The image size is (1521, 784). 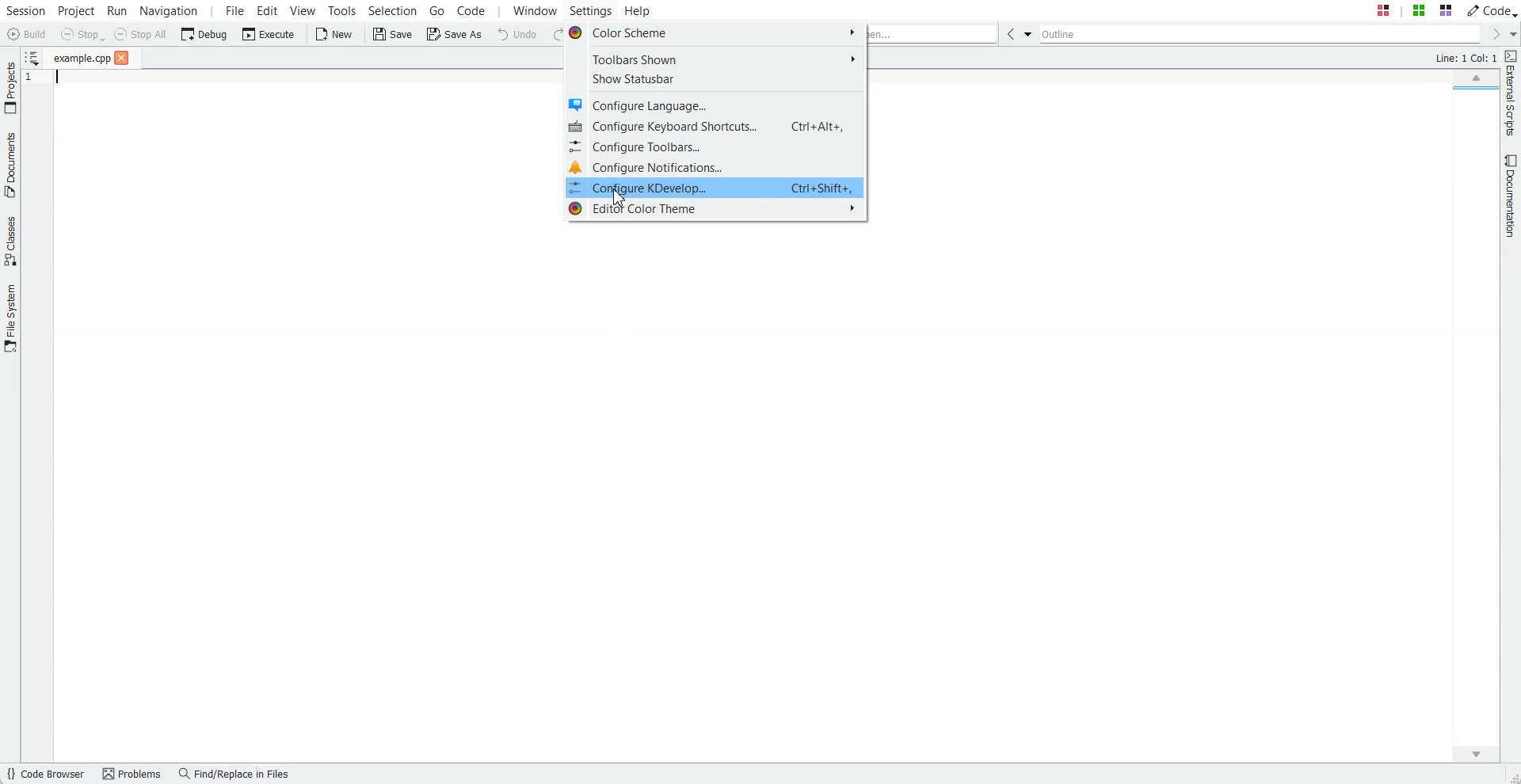 What do you see at coordinates (31, 57) in the screenshot?
I see `Show sorted List` at bounding box center [31, 57].